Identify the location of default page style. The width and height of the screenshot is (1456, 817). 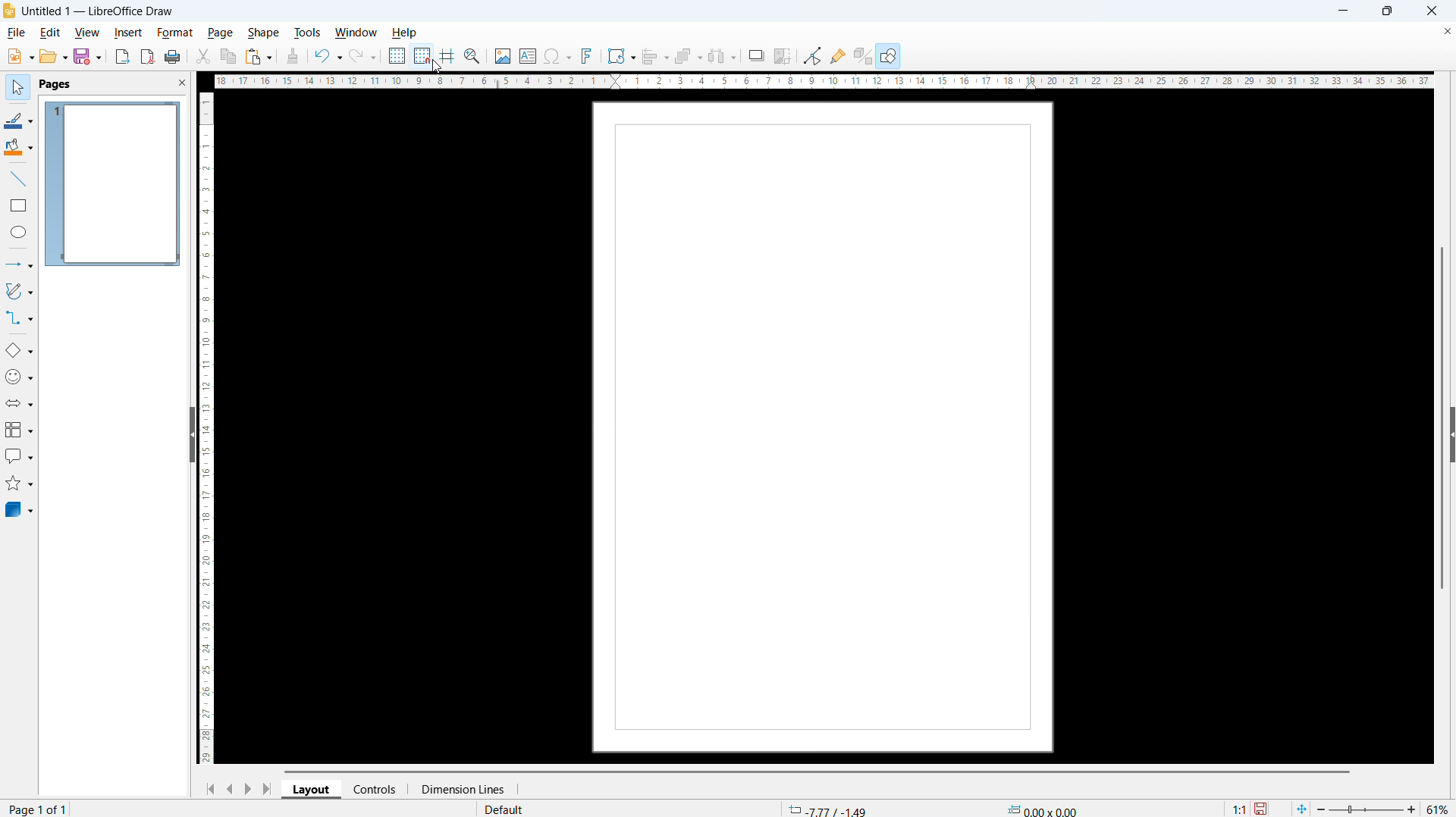
(507, 809).